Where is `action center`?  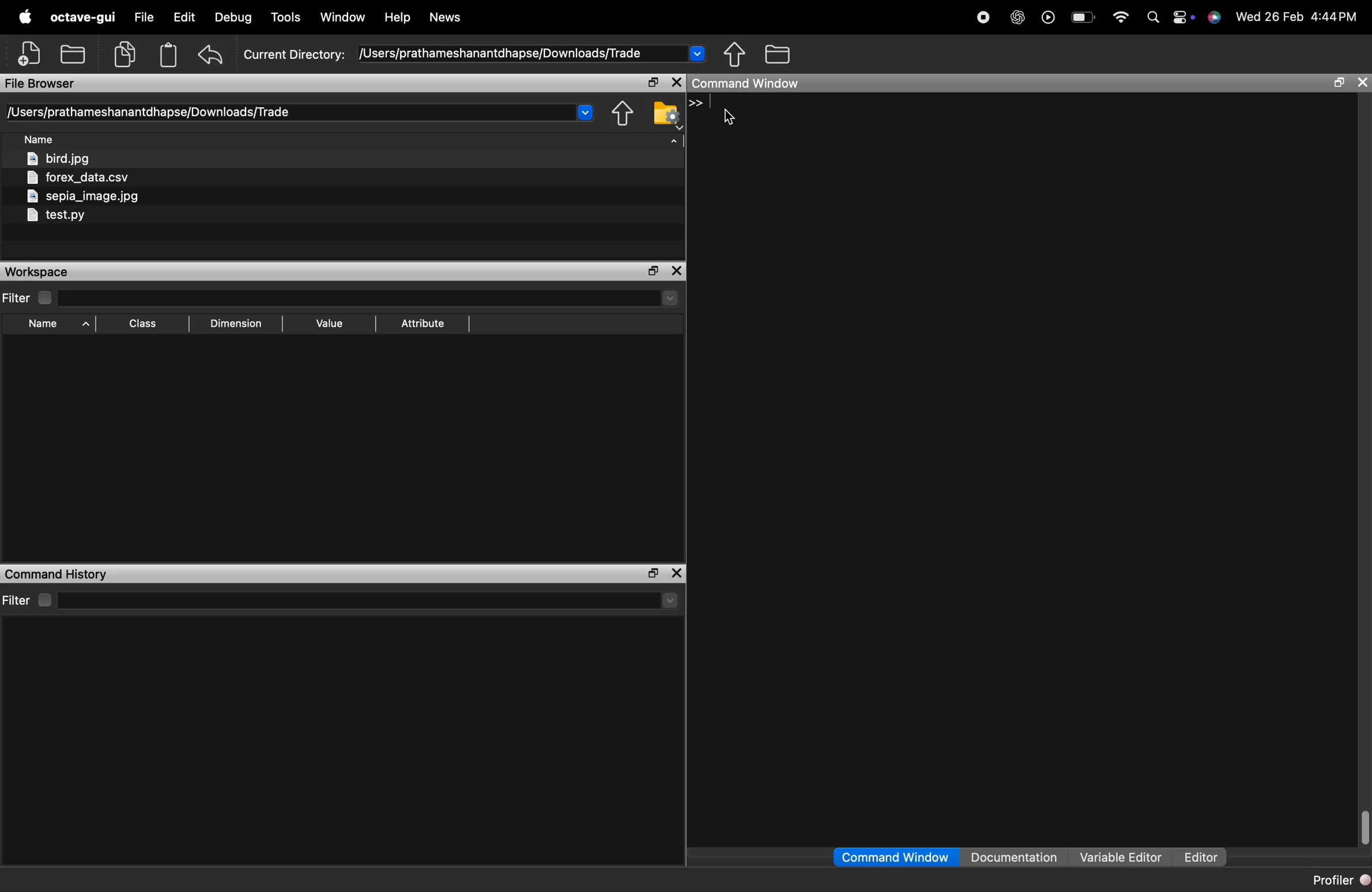
action center is located at coordinates (1183, 18).